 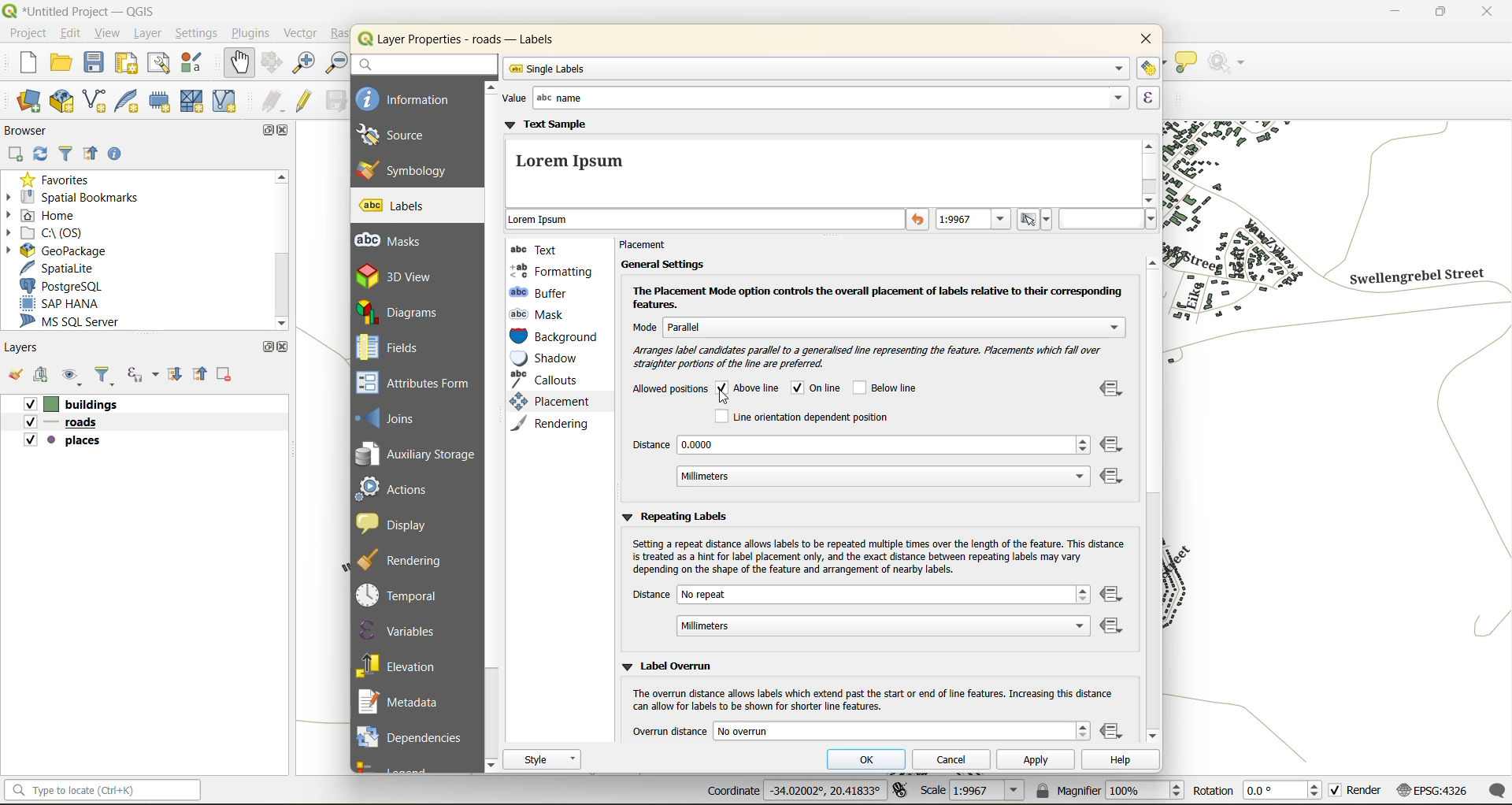 I want to click on placement, so click(x=547, y=402).